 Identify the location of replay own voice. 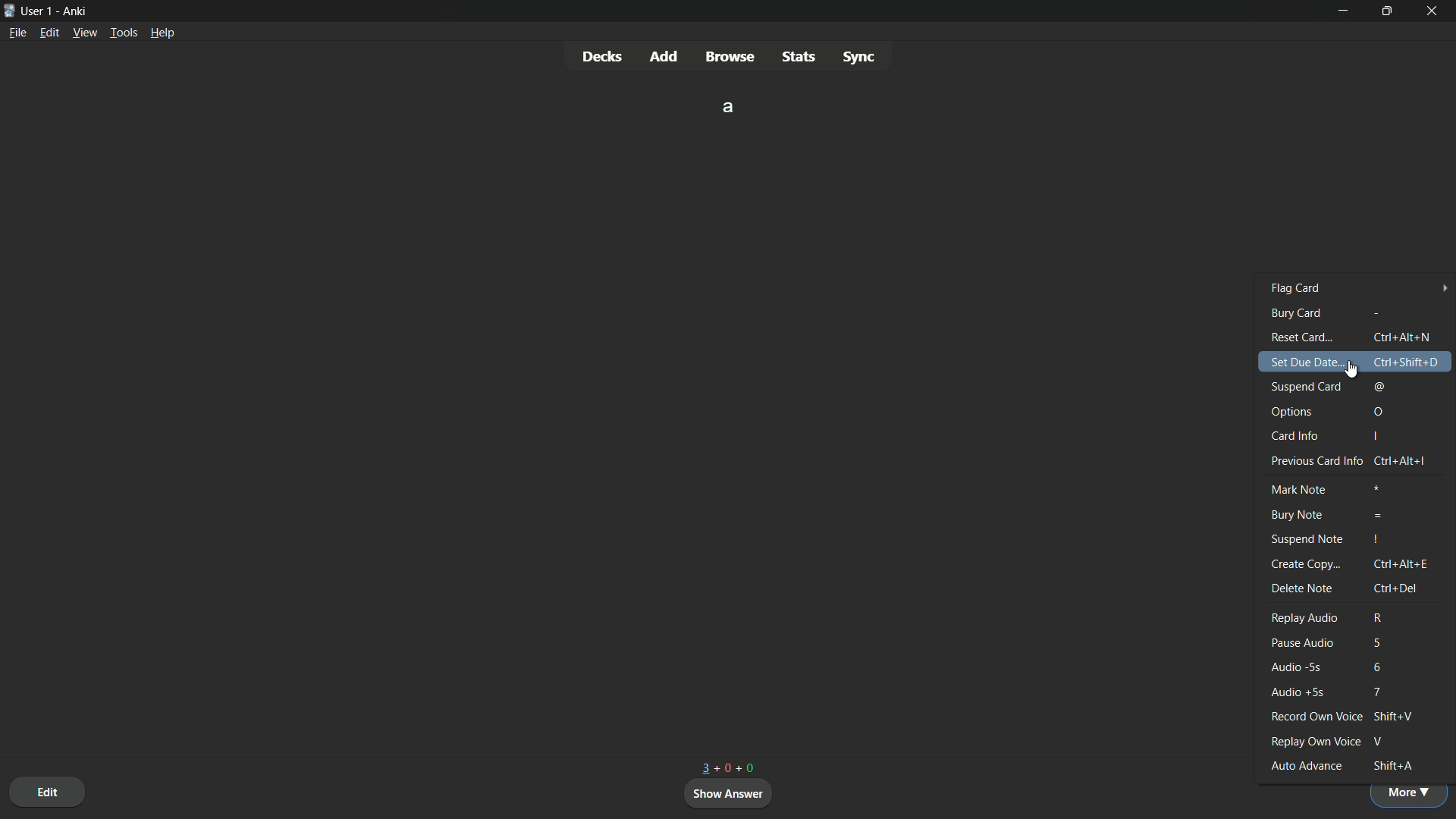
(1315, 742).